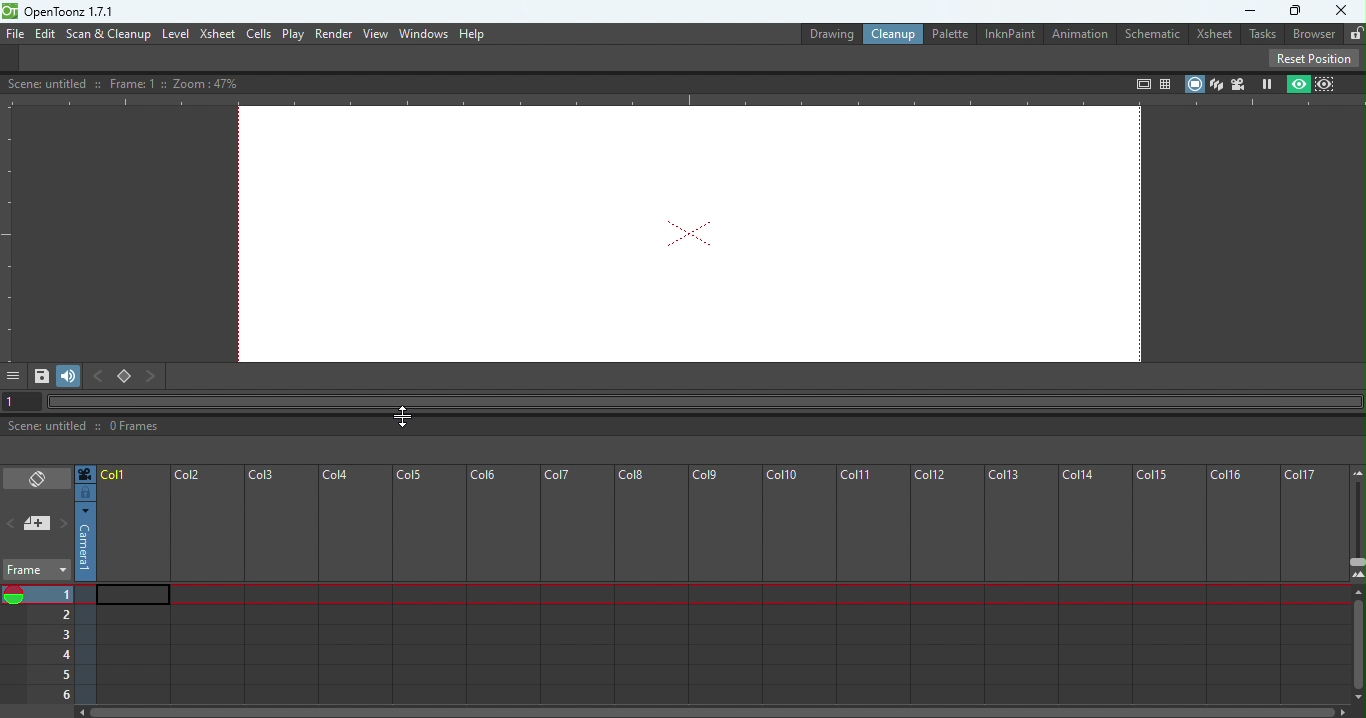 The image size is (1366, 718). What do you see at coordinates (716, 711) in the screenshot?
I see `Horizontal scroll bar` at bounding box center [716, 711].